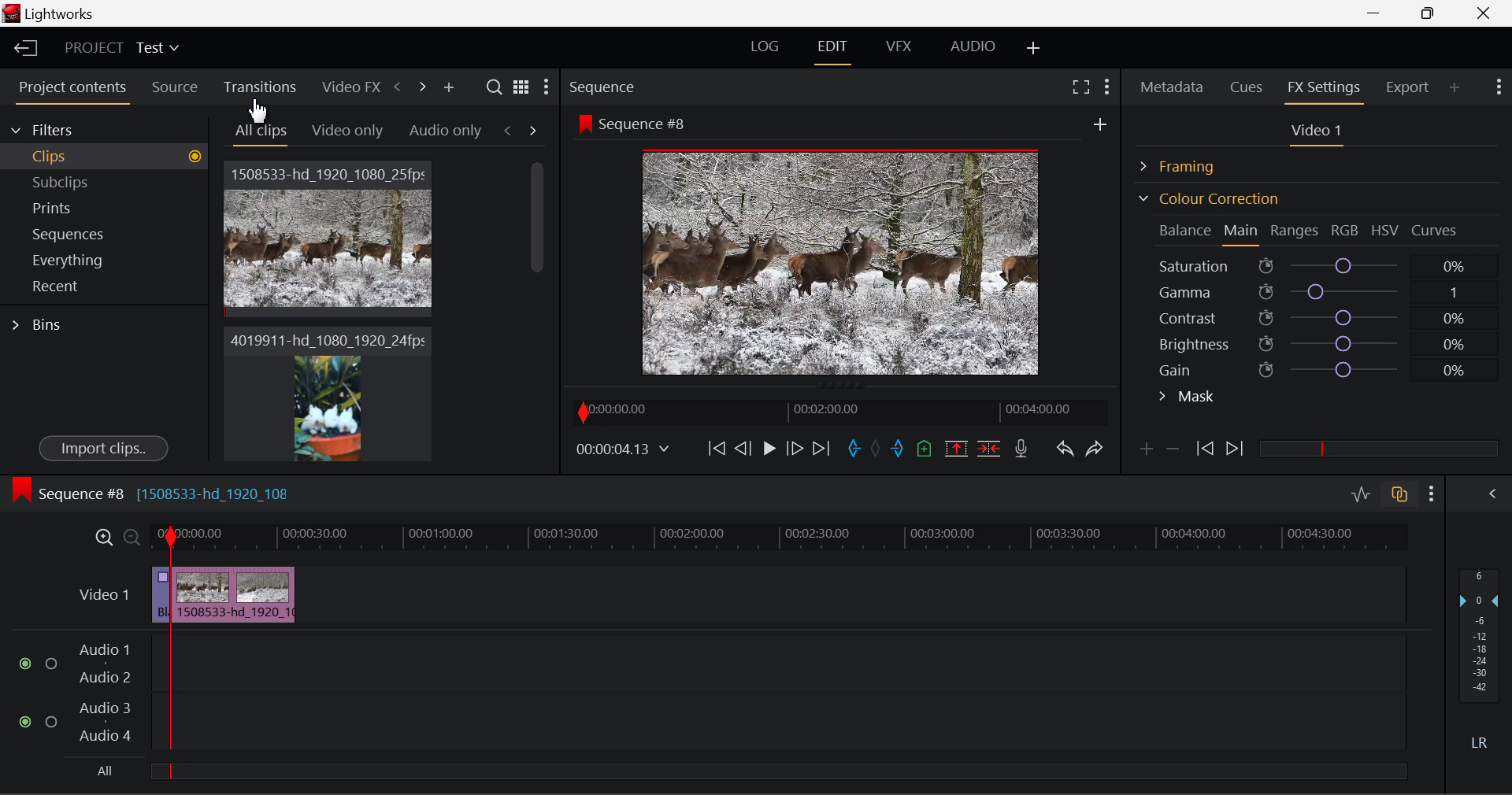 The width and height of the screenshot is (1512, 795). What do you see at coordinates (780, 538) in the screenshot?
I see `Project Timeline` at bounding box center [780, 538].